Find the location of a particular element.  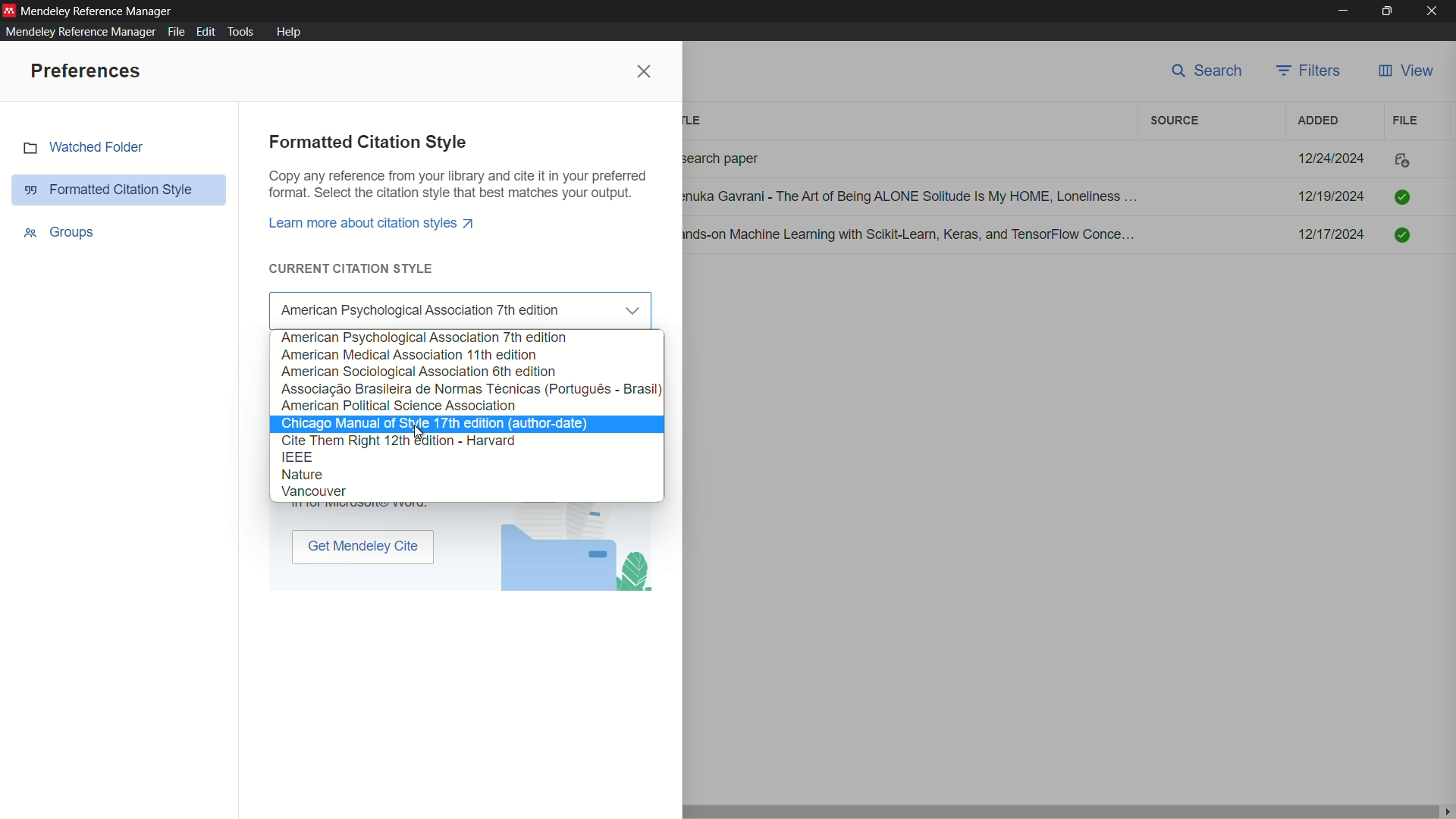

current citation style is located at coordinates (353, 268).